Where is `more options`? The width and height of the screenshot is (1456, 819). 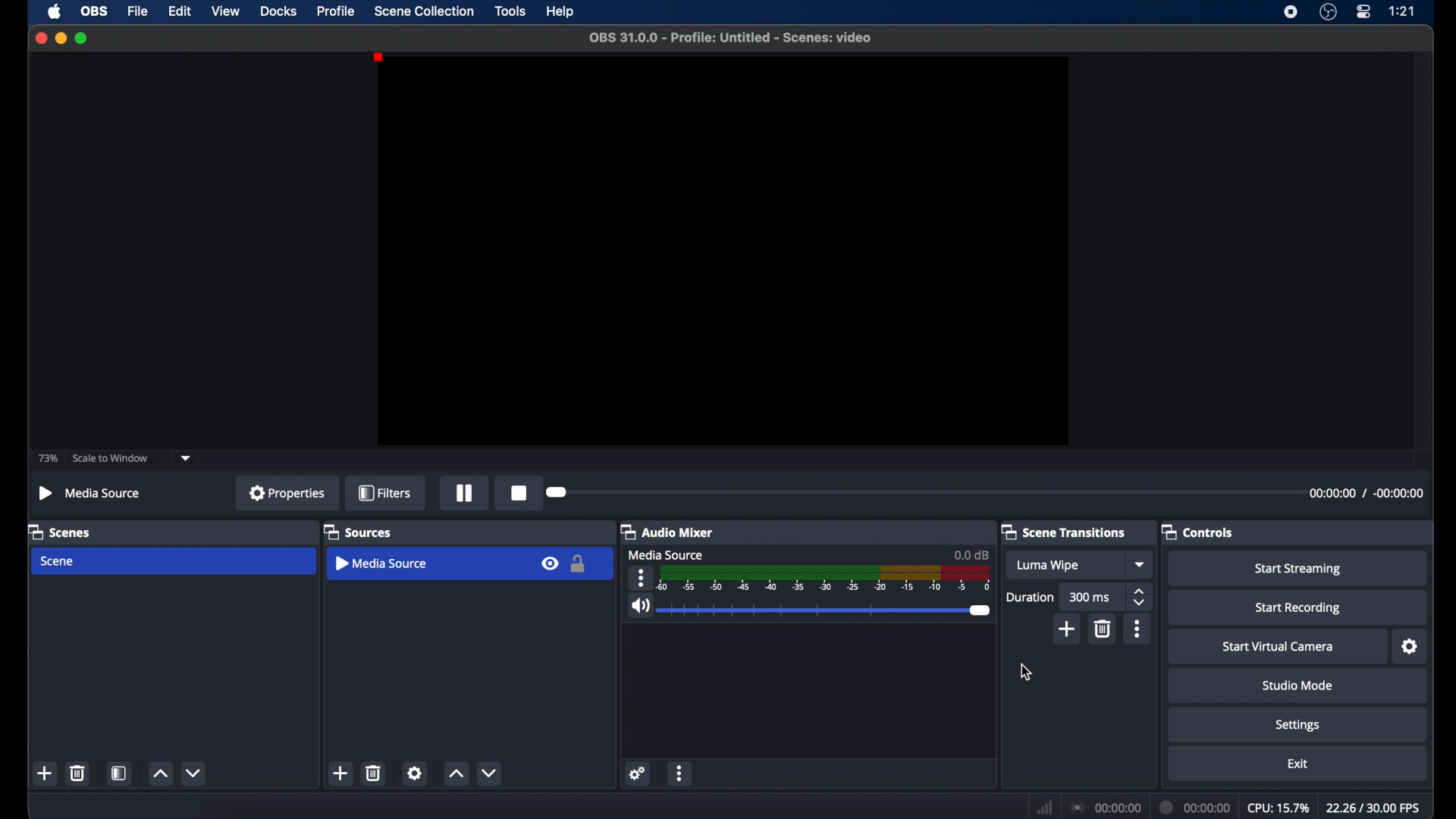
more options is located at coordinates (1138, 629).